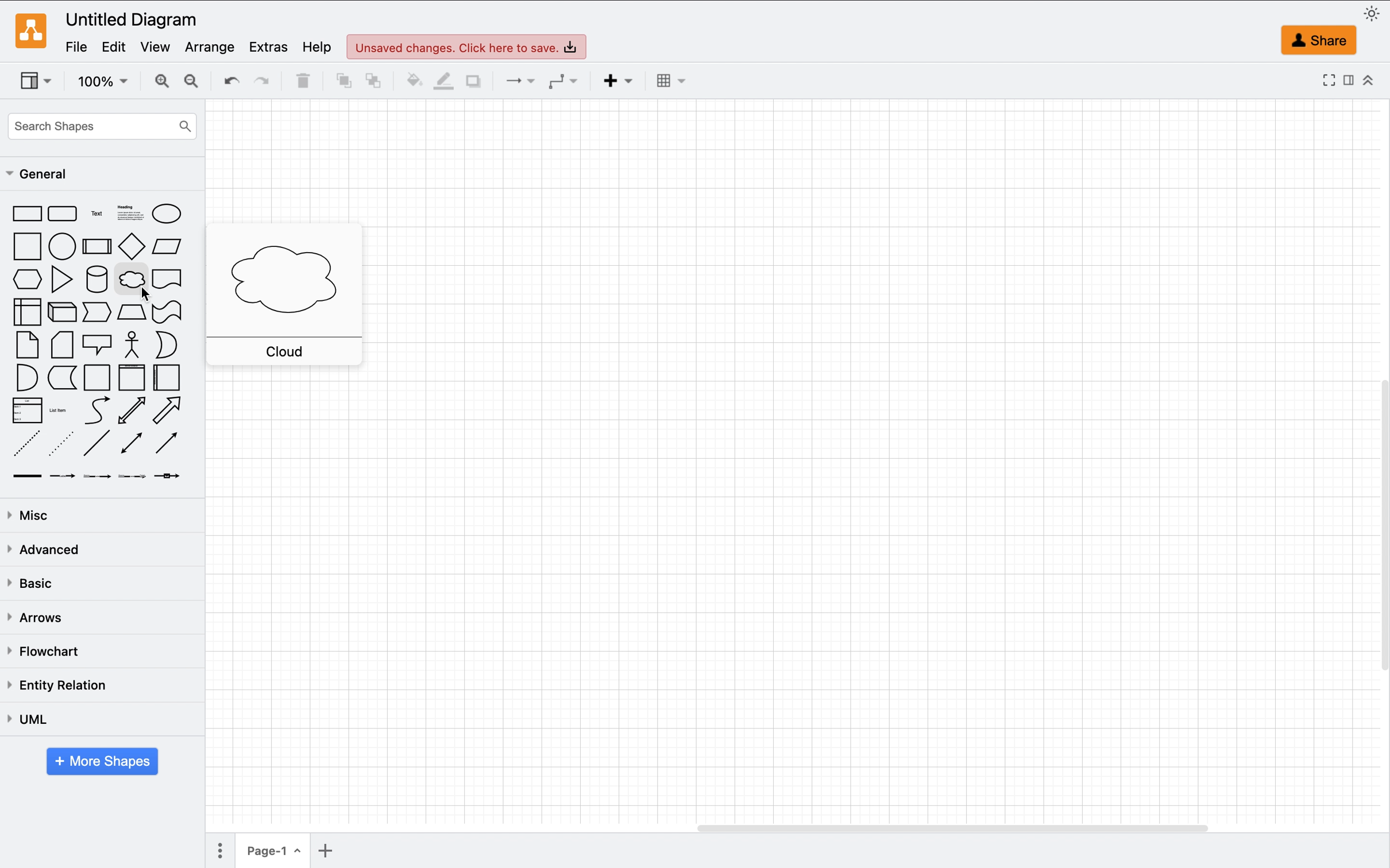 This screenshot has width=1390, height=868. Describe the element at coordinates (99, 82) in the screenshot. I see `zoom factor` at that location.